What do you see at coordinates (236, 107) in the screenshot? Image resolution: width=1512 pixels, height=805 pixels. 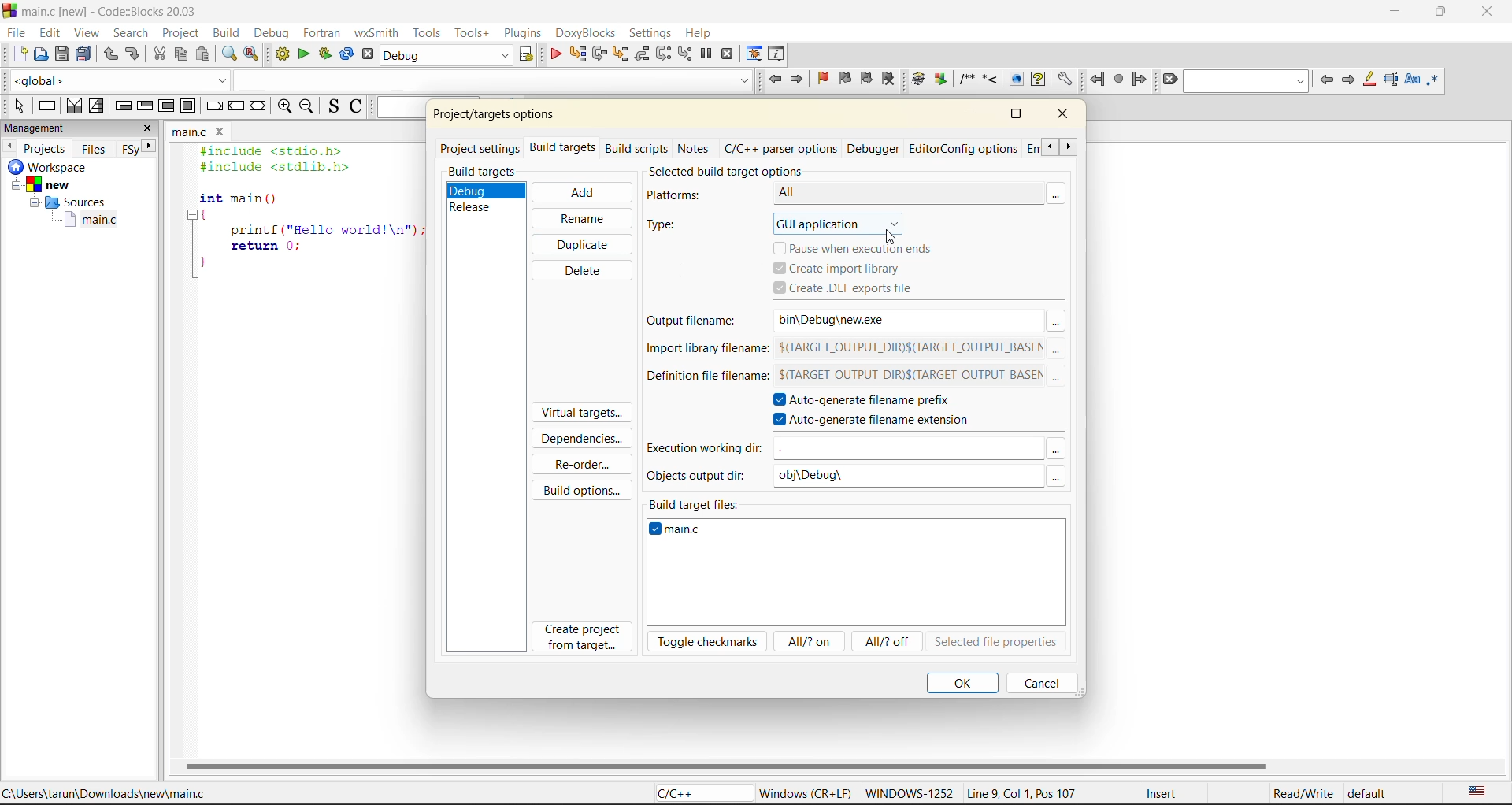 I see `continue instruction ` at bounding box center [236, 107].